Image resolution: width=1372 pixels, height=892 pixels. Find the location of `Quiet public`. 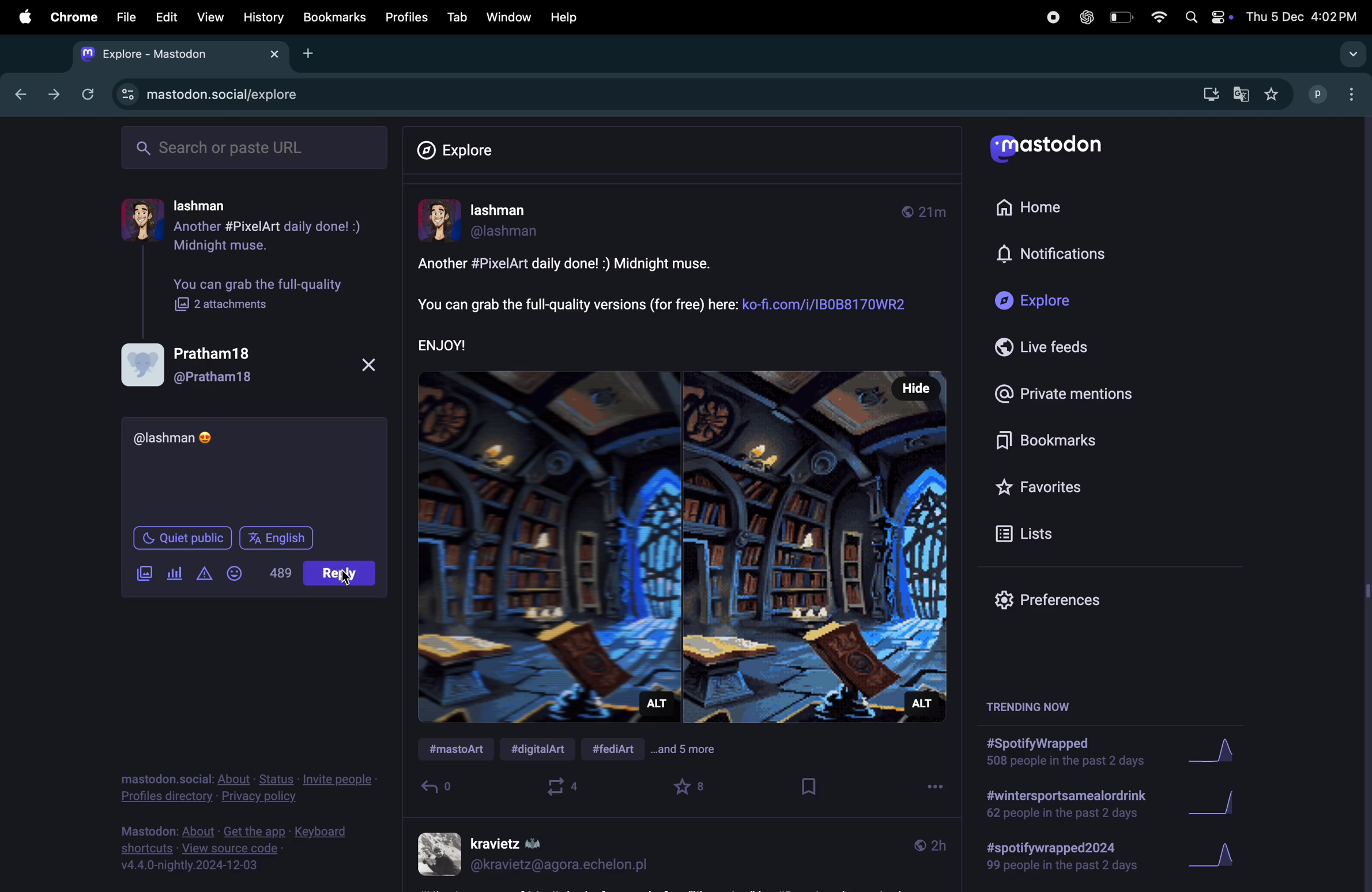

Quiet public is located at coordinates (184, 536).